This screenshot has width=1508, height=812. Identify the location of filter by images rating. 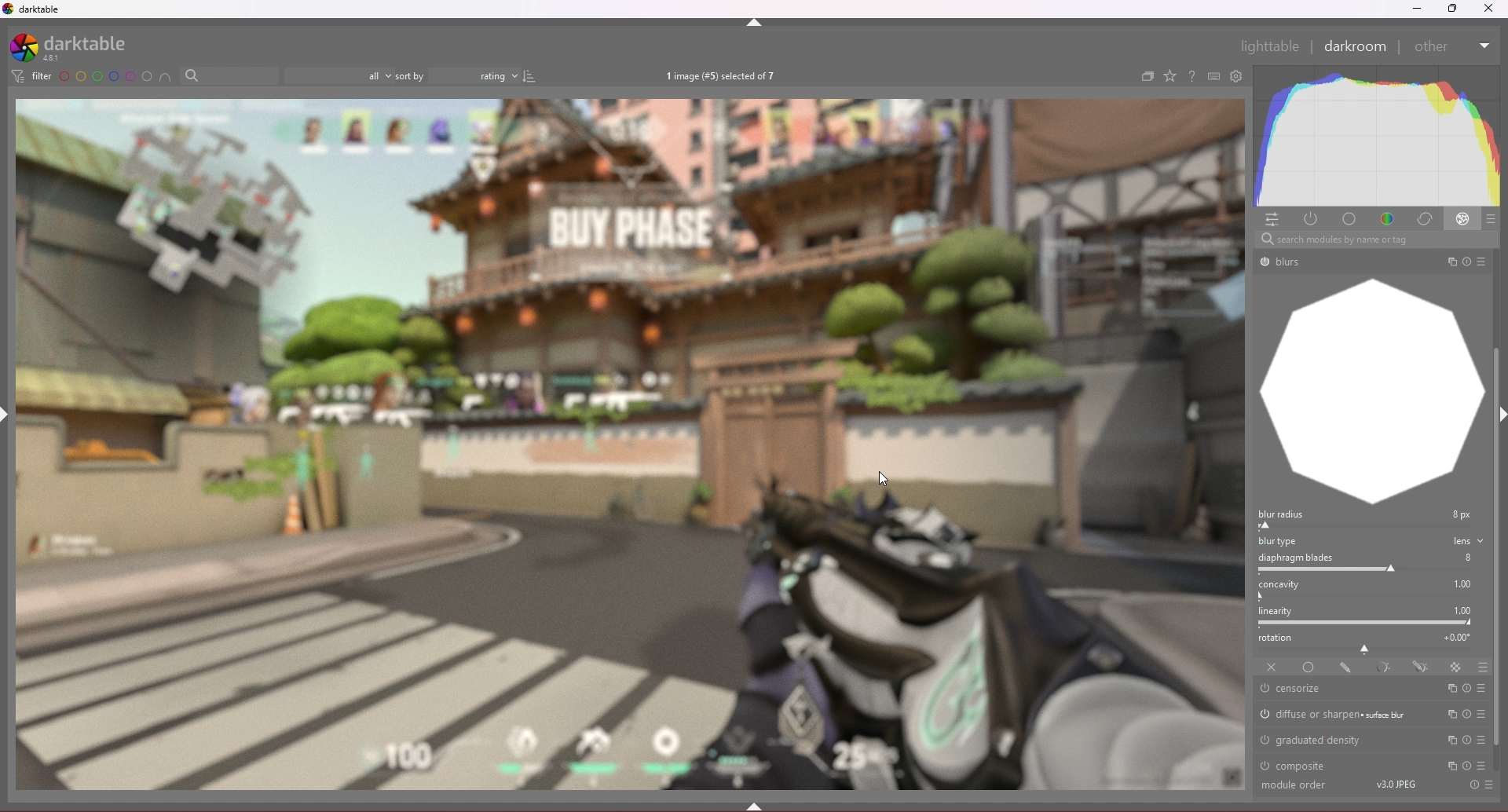
(339, 75).